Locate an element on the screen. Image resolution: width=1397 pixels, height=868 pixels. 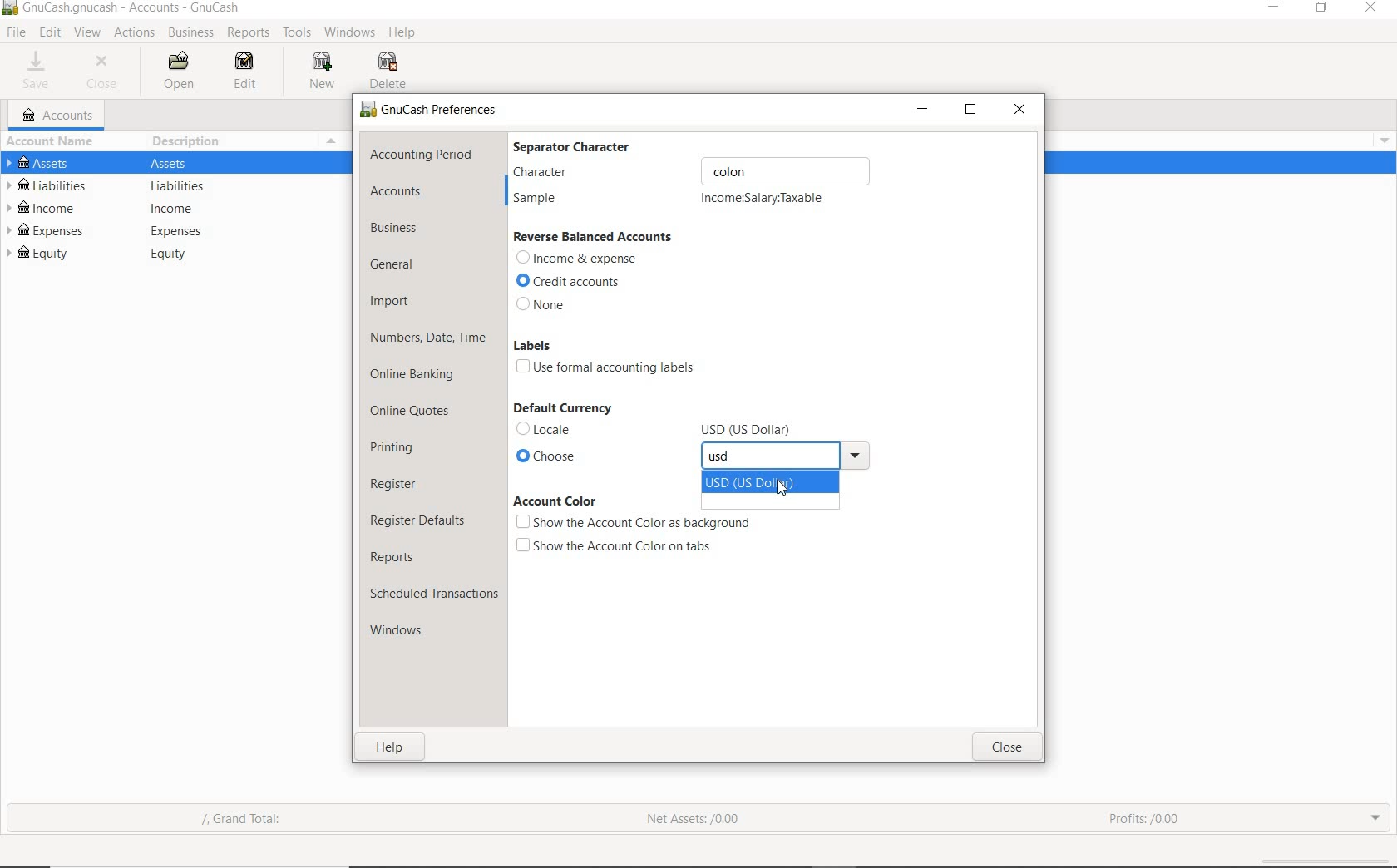
separator character is located at coordinates (583, 145).